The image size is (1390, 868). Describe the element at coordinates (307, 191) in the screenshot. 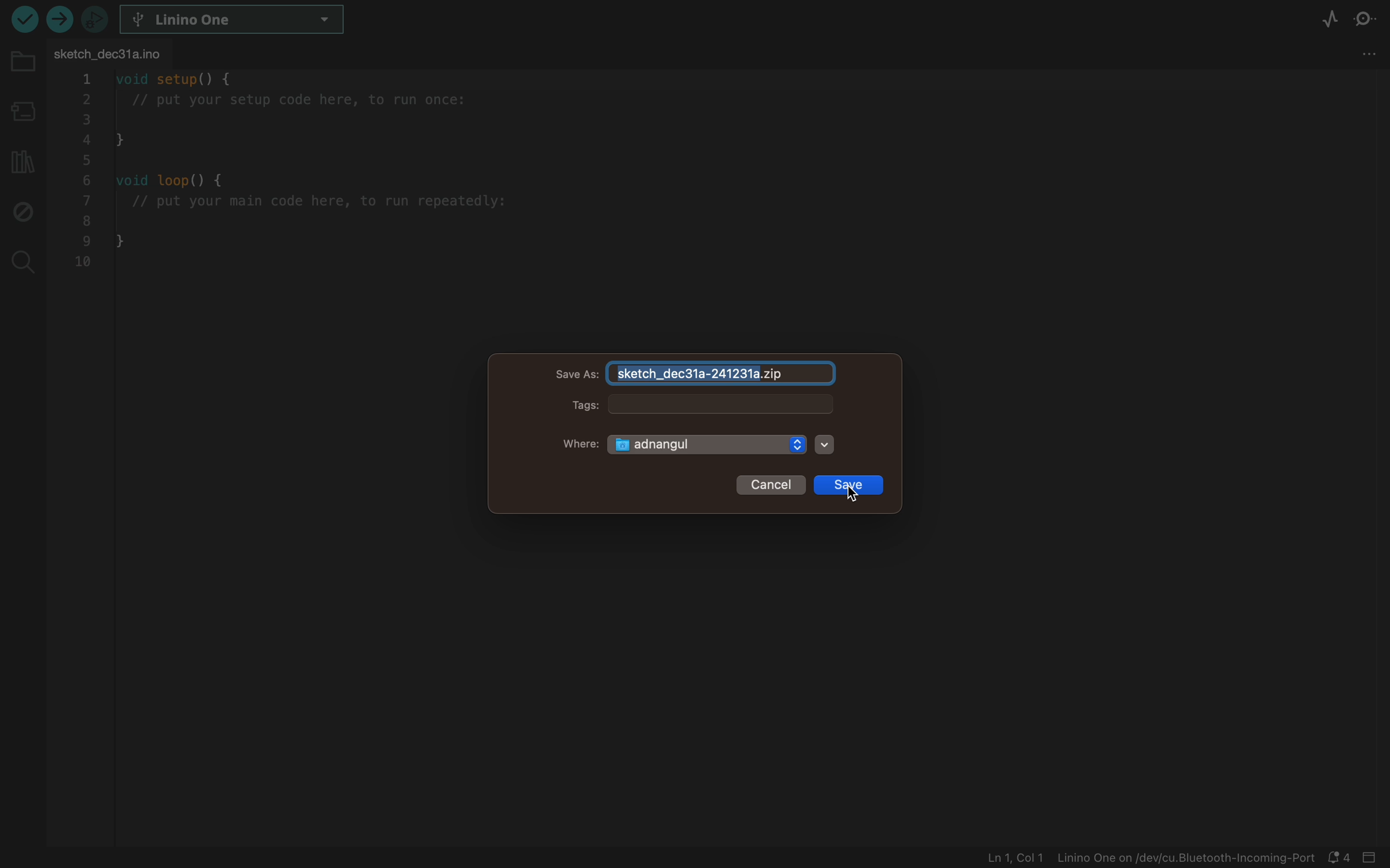

I see `code` at that location.